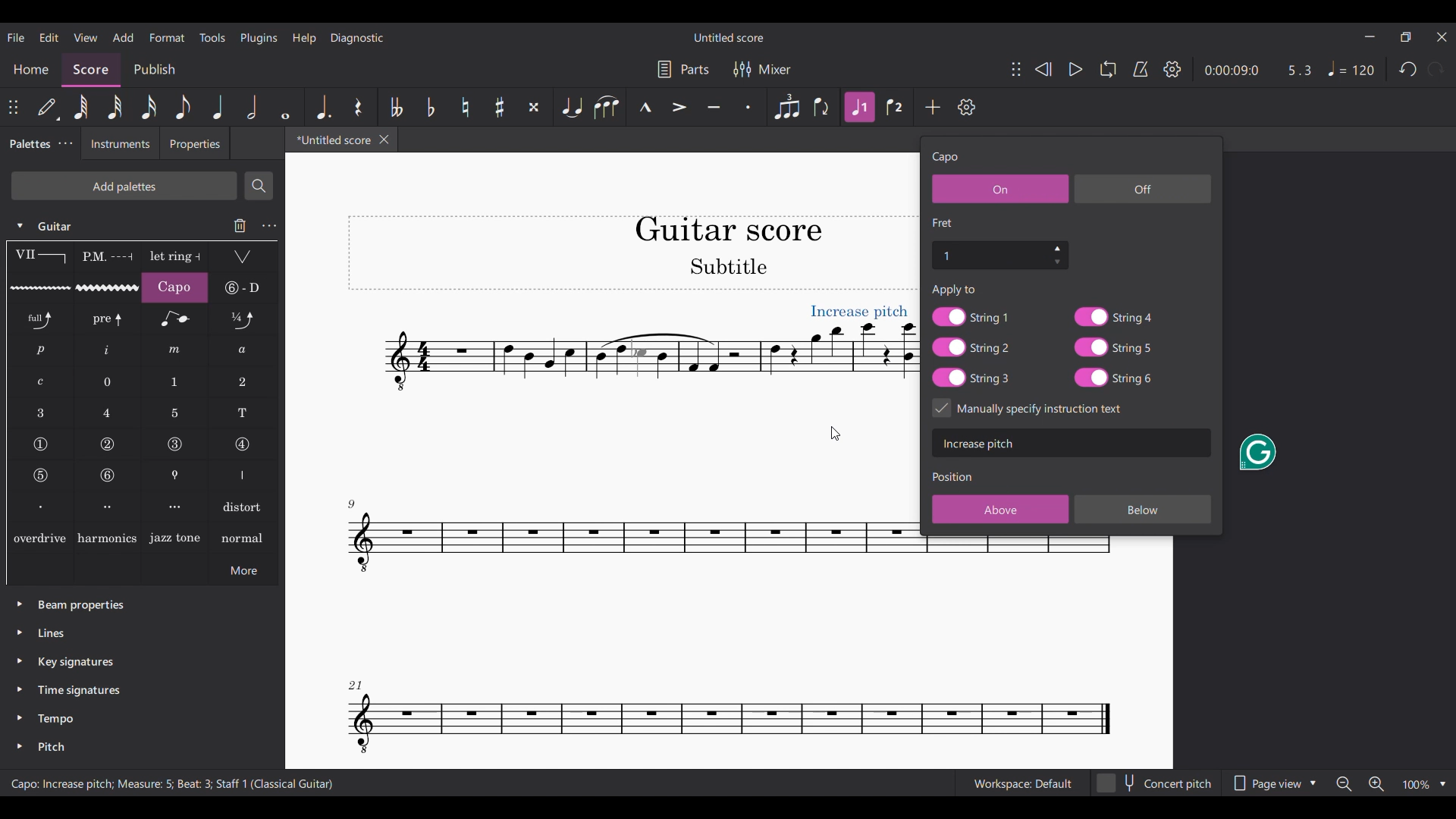 This screenshot has width=1456, height=819. Describe the element at coordinates (728, 38) in the screenshot. I see `Score title` at that location.